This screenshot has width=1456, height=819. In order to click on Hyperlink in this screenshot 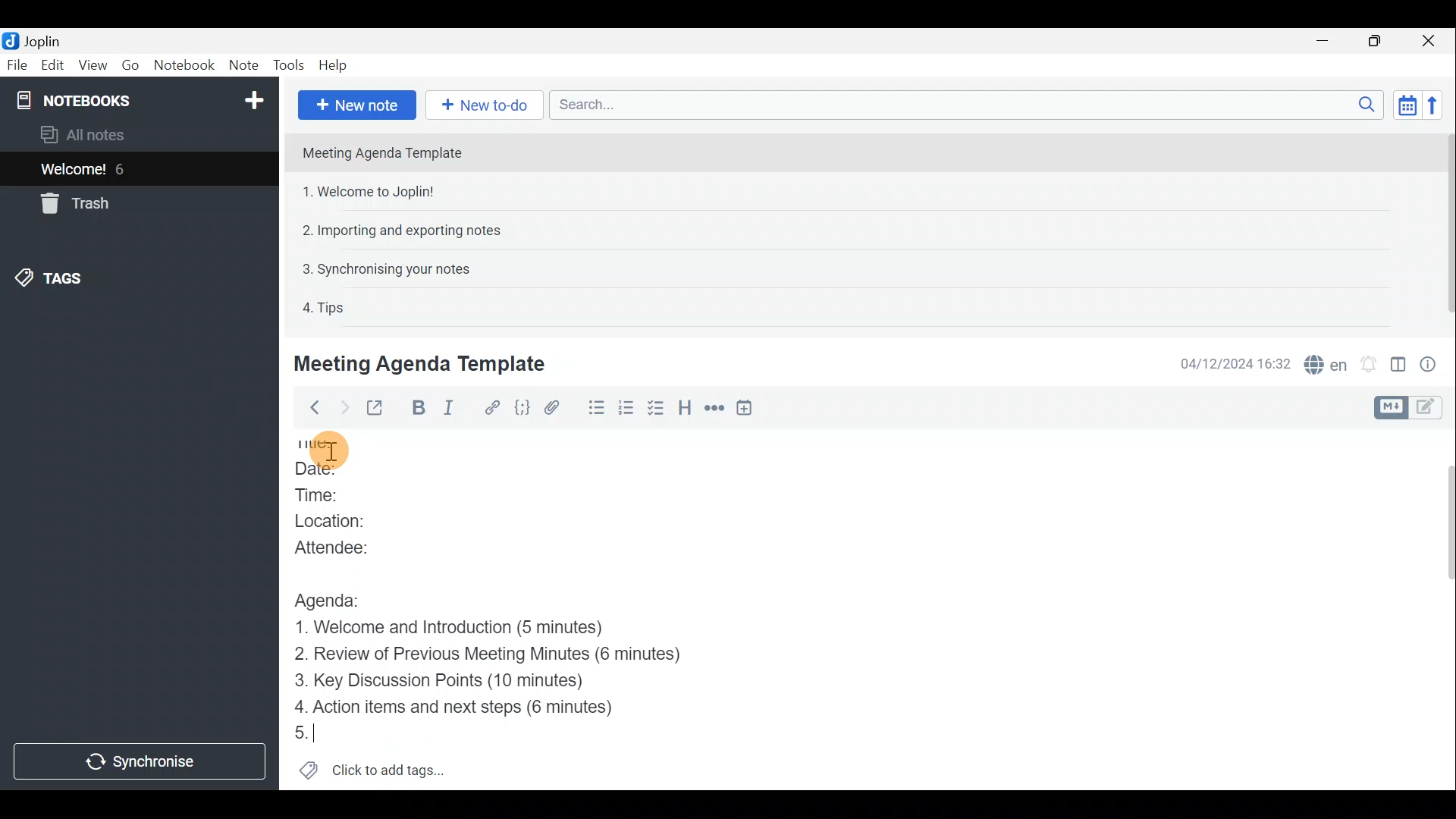, I will do `click(494, 407)`.